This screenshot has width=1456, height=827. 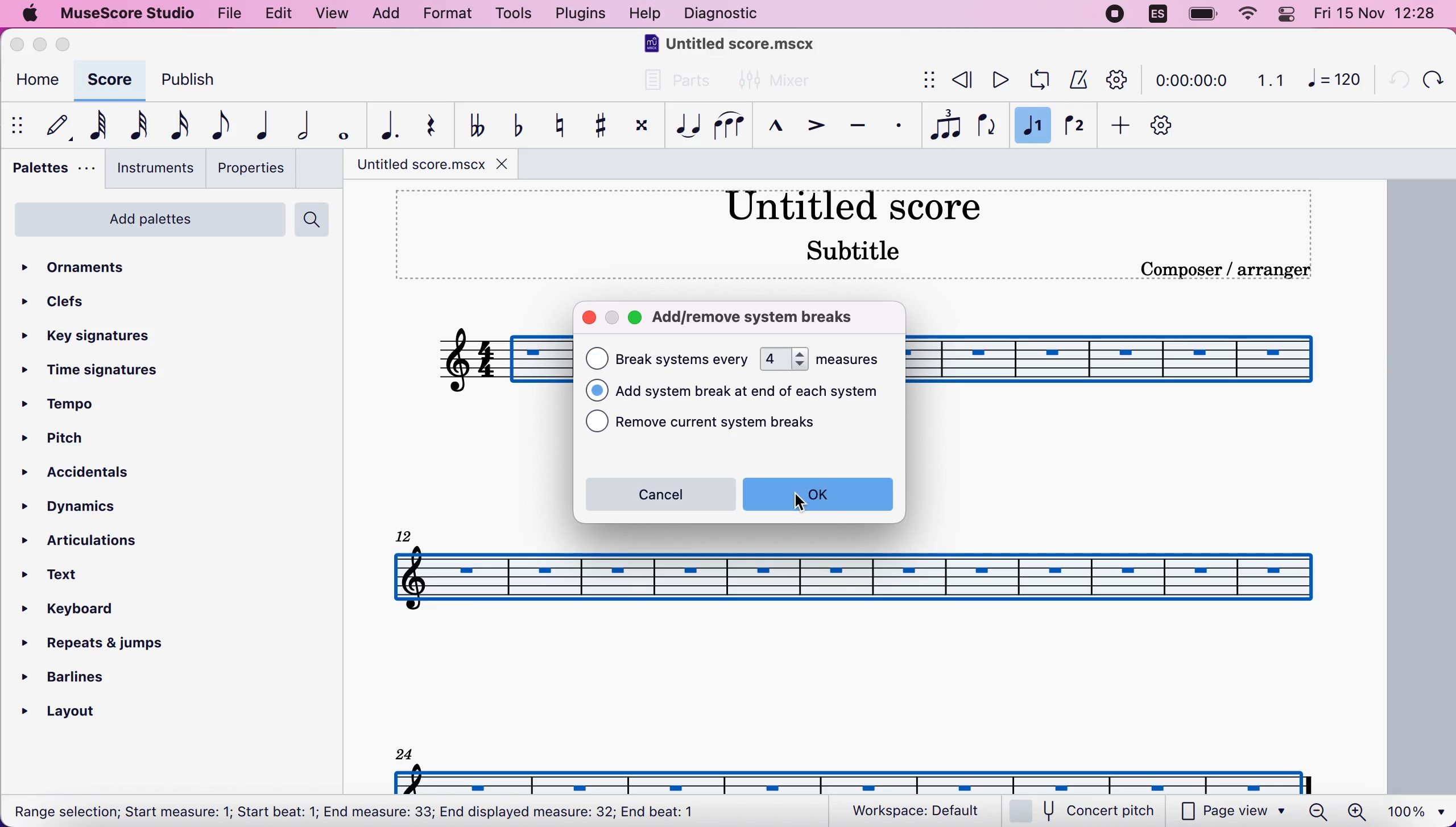 I want to click on tab, so click(x=420, y=164).